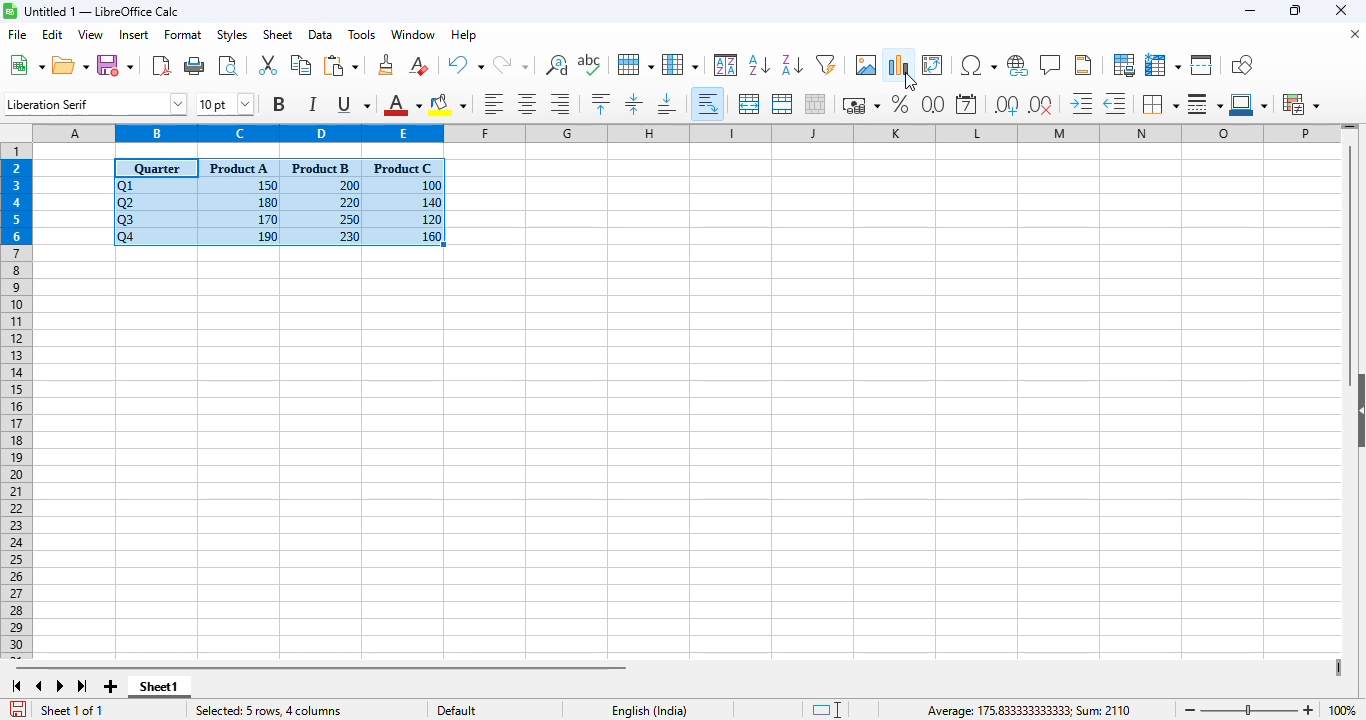 The height and width of the screenshot is (720, 1366). I want to click on decrease indent, so click(1117, 103).